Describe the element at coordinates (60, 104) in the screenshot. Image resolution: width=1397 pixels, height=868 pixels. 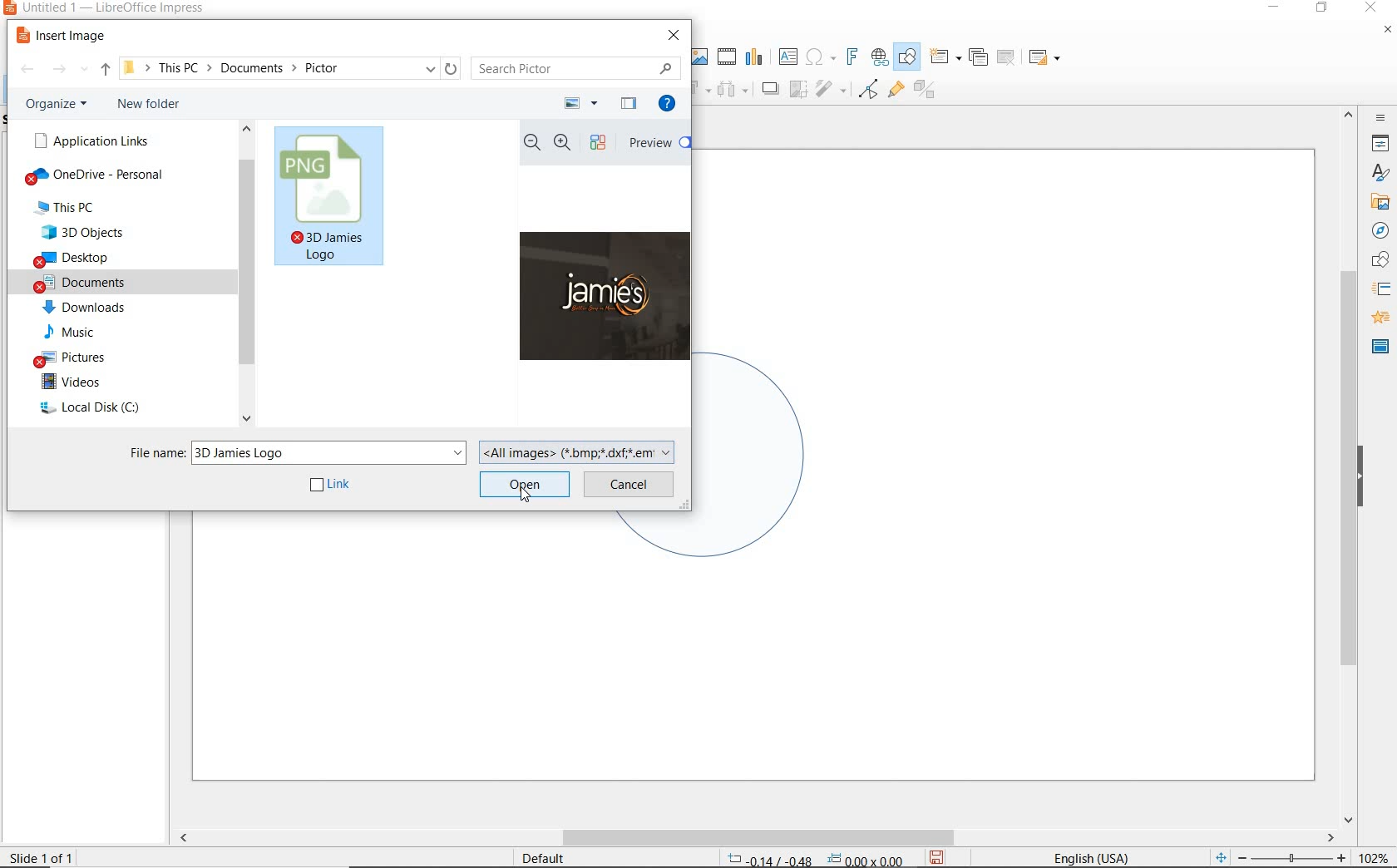
I see `organize` at that location.